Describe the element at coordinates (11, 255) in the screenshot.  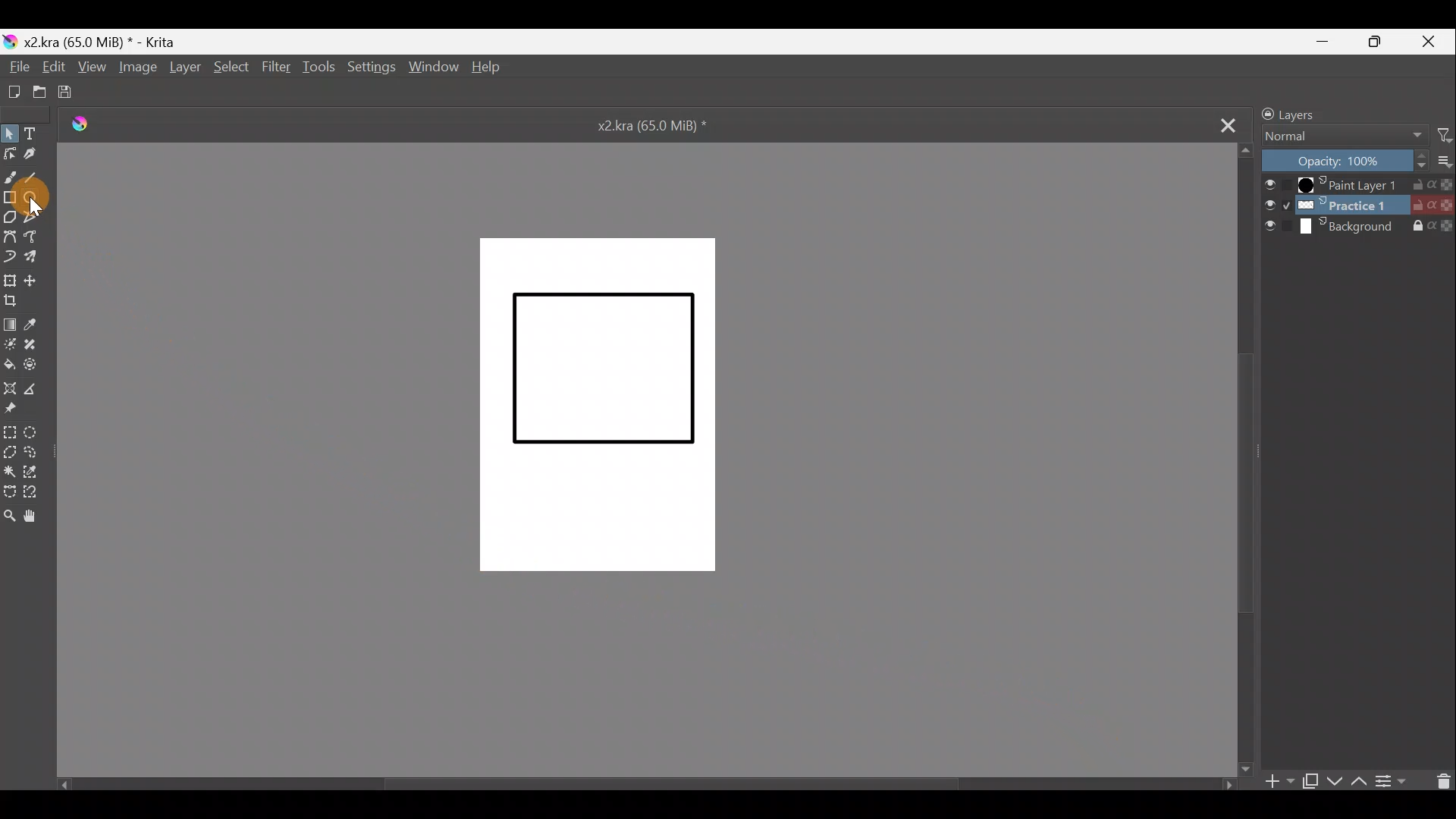
I see `Magnetic curve tool` at that location.